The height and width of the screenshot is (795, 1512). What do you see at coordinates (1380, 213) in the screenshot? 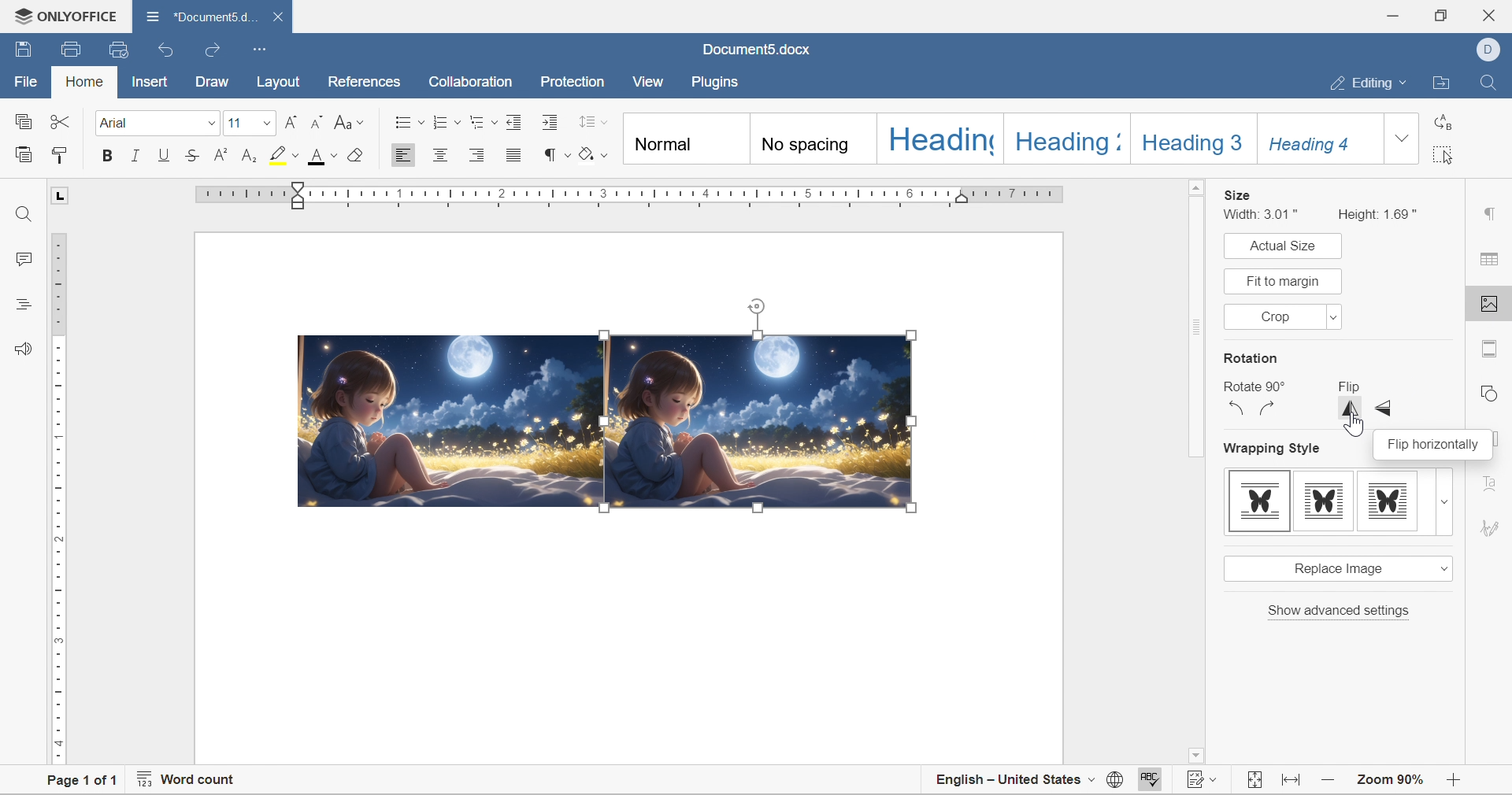
I see `Height: 1.69` at bounding box center [1380, 213].